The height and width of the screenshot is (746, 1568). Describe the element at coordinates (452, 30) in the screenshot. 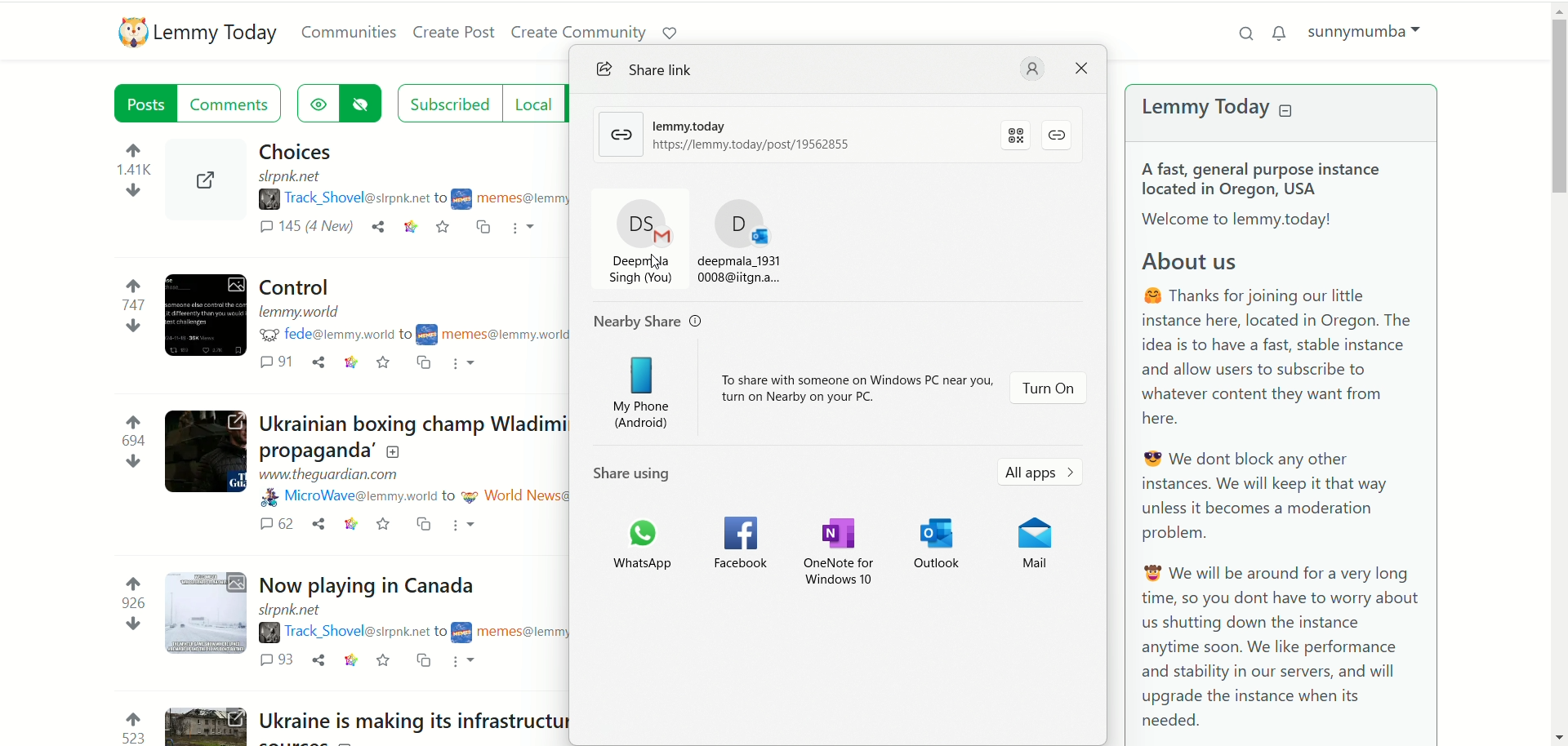

I see `create post` at that location.